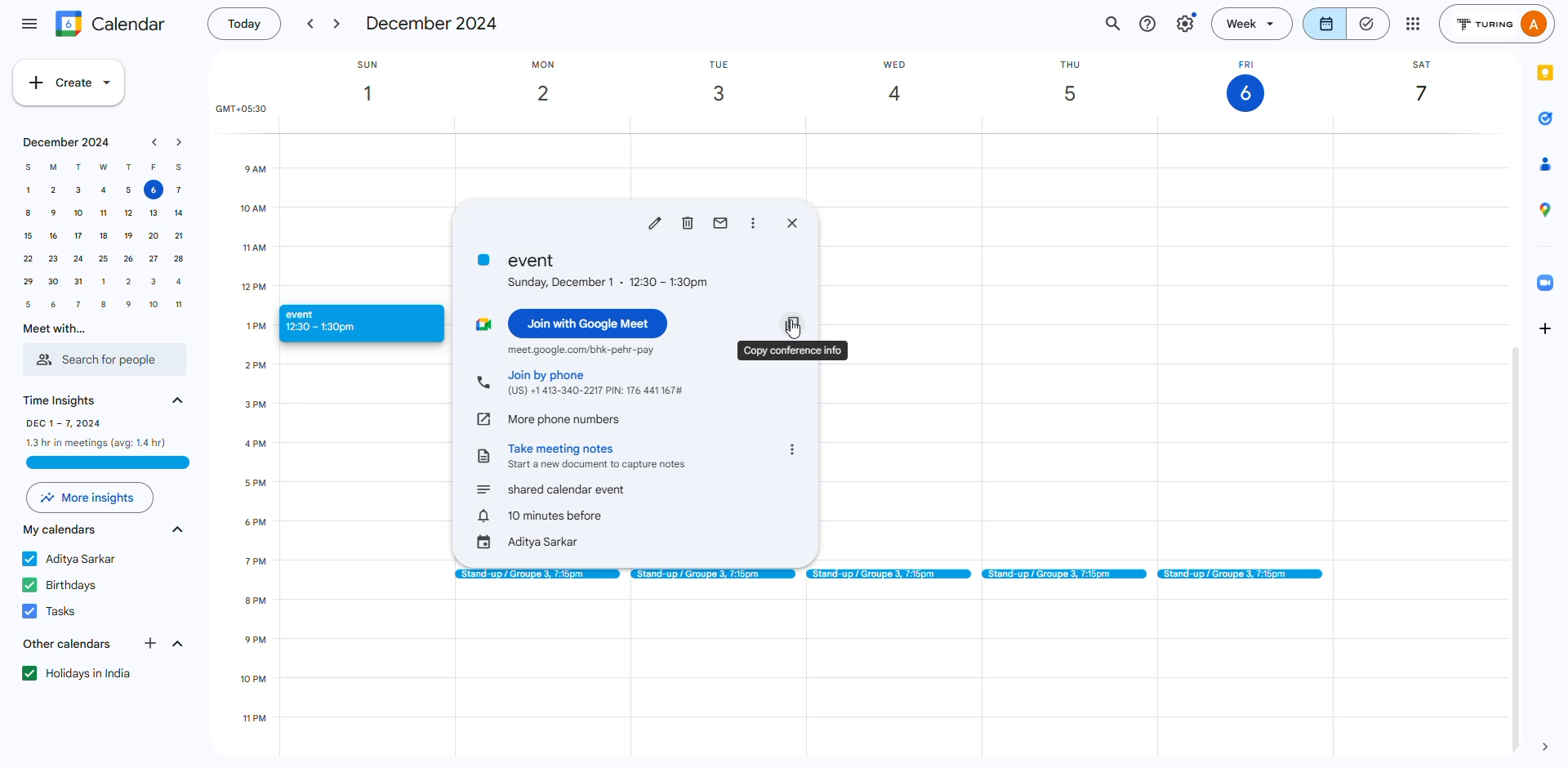 This screenshot has height=768, width=1568. Describe the element at coordinates (595, 382) in the screenshot. I see `join` at that location.